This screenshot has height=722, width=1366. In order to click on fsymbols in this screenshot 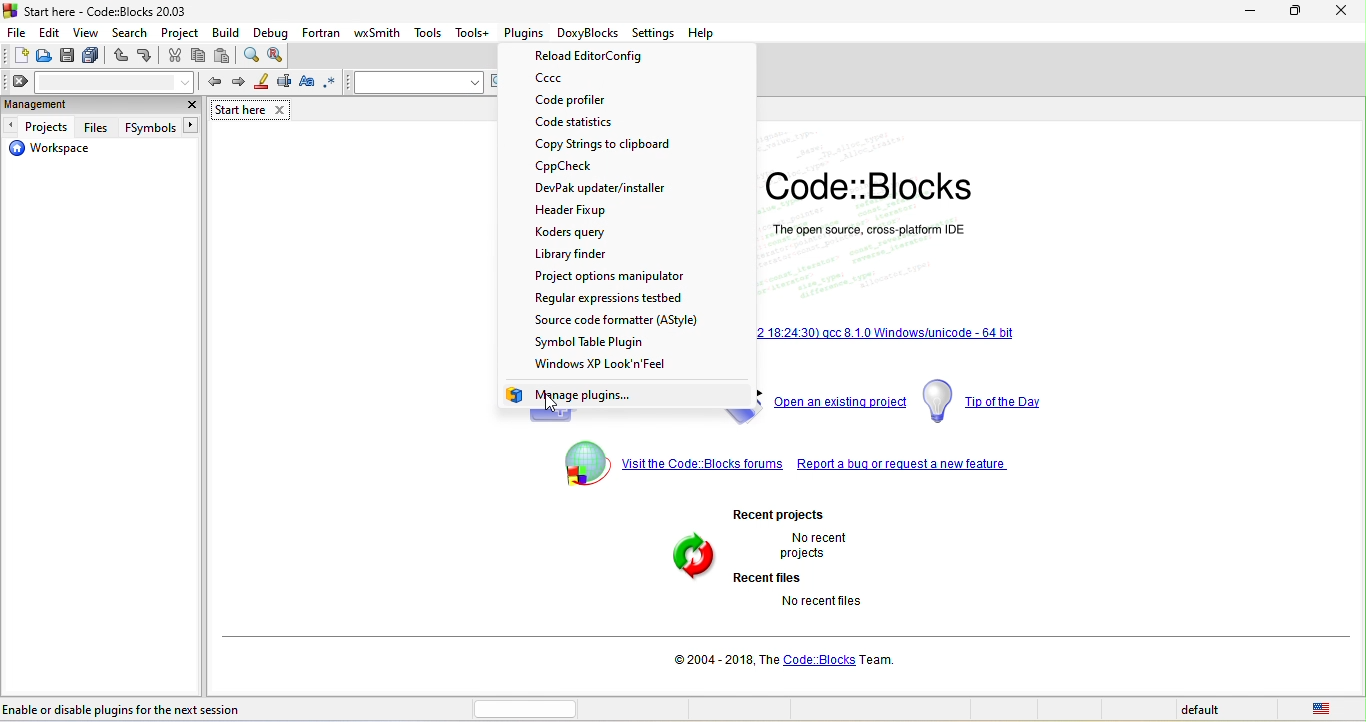, I will do `click(158, 126)`.